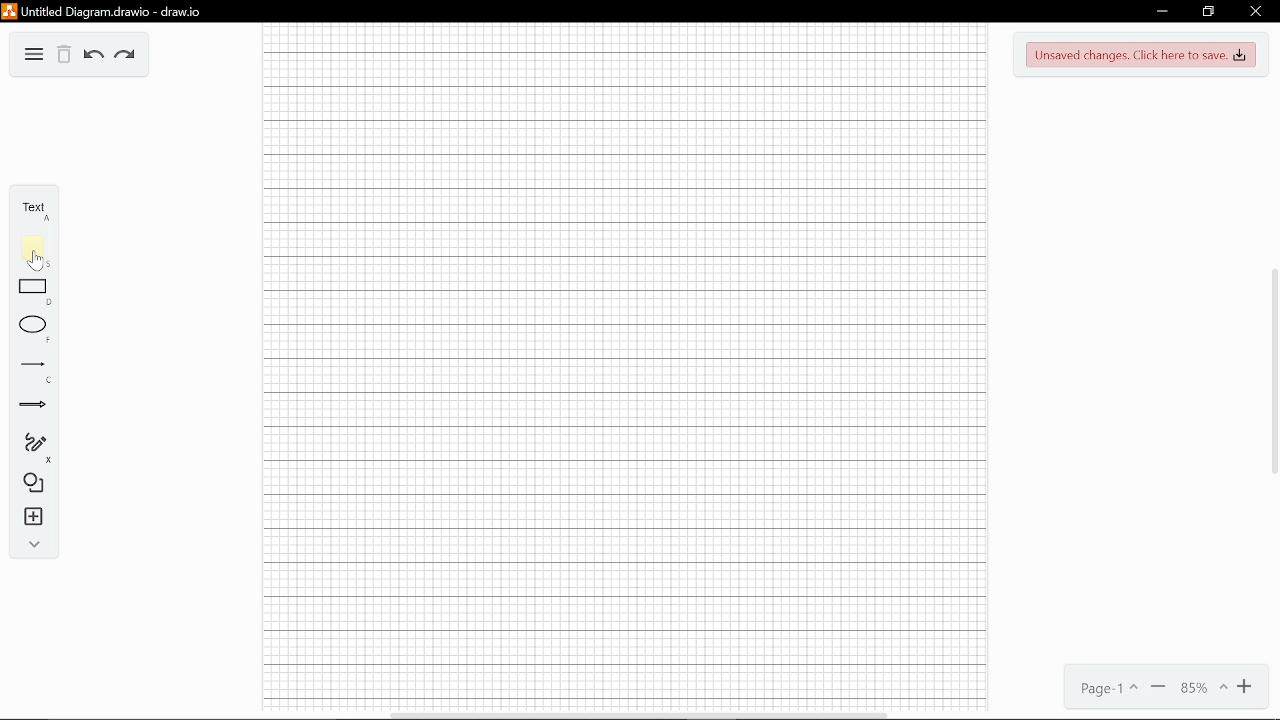  What do you see at coordinates (1208, 11) in the screenshot?
I see `Restore down` at bounding box center [1208, 11].